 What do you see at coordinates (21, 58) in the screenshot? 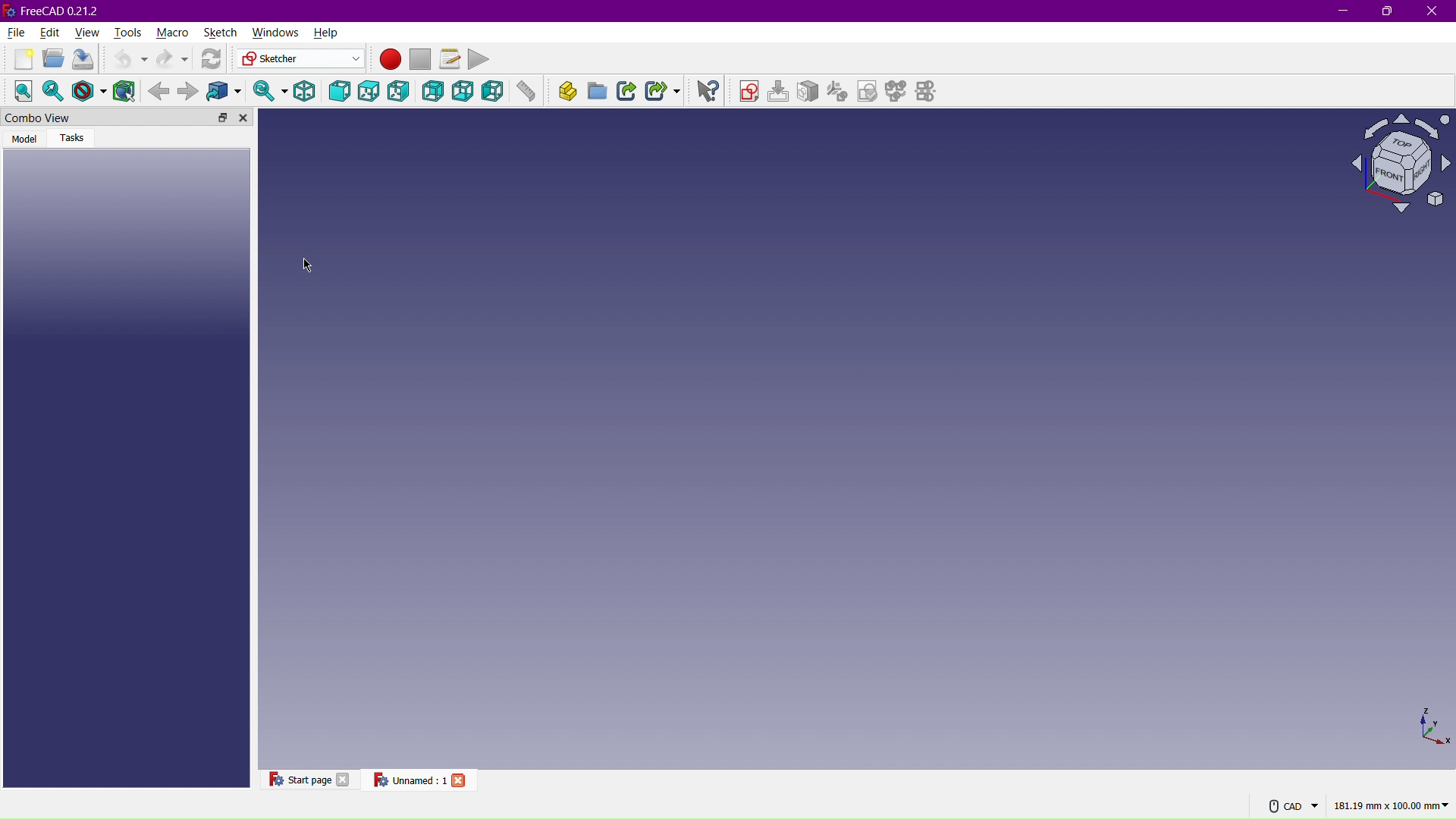
I see `New` at bounding box center [21, 58].